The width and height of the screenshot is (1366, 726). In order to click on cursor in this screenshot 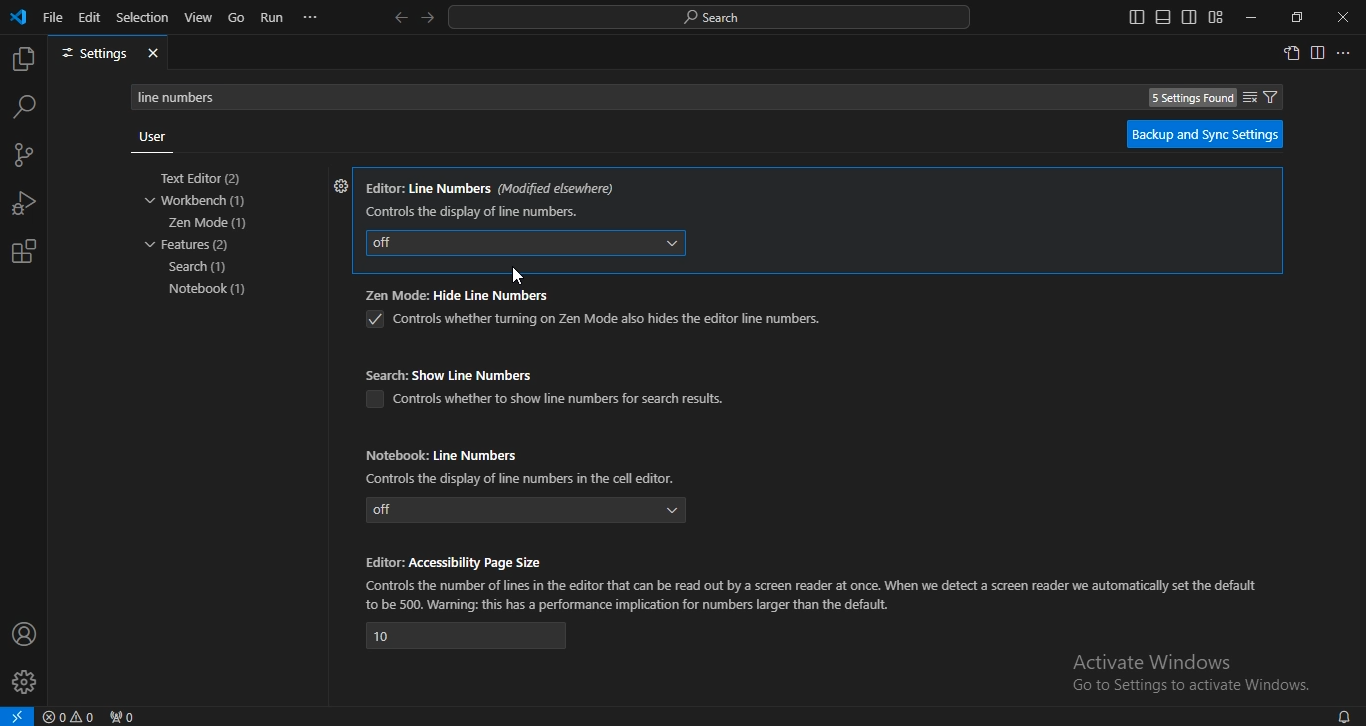, I will do `click(521, 275)`.